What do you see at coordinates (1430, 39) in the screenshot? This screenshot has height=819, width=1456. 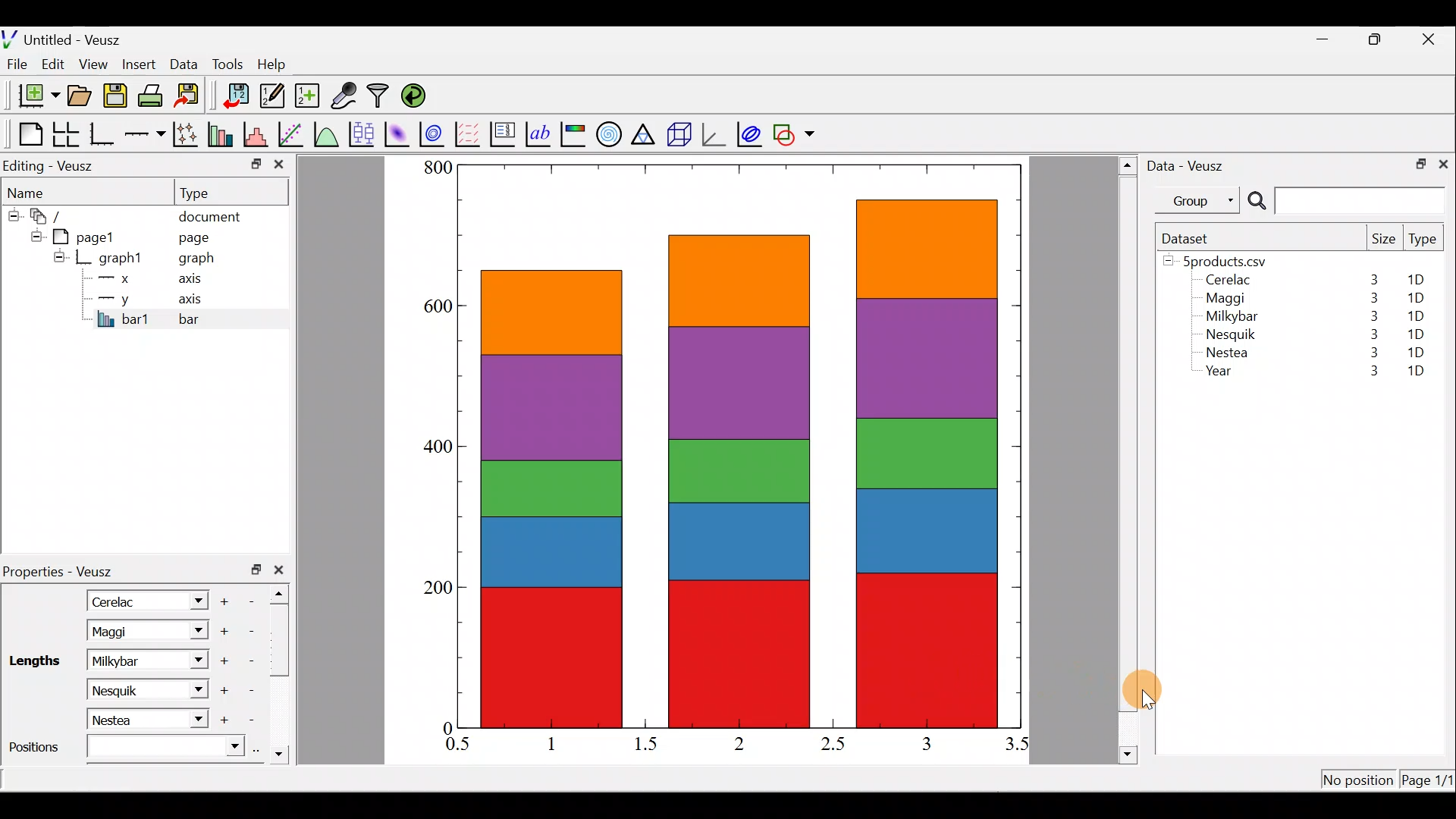 I see `close` at bounding box center [1430, 39].